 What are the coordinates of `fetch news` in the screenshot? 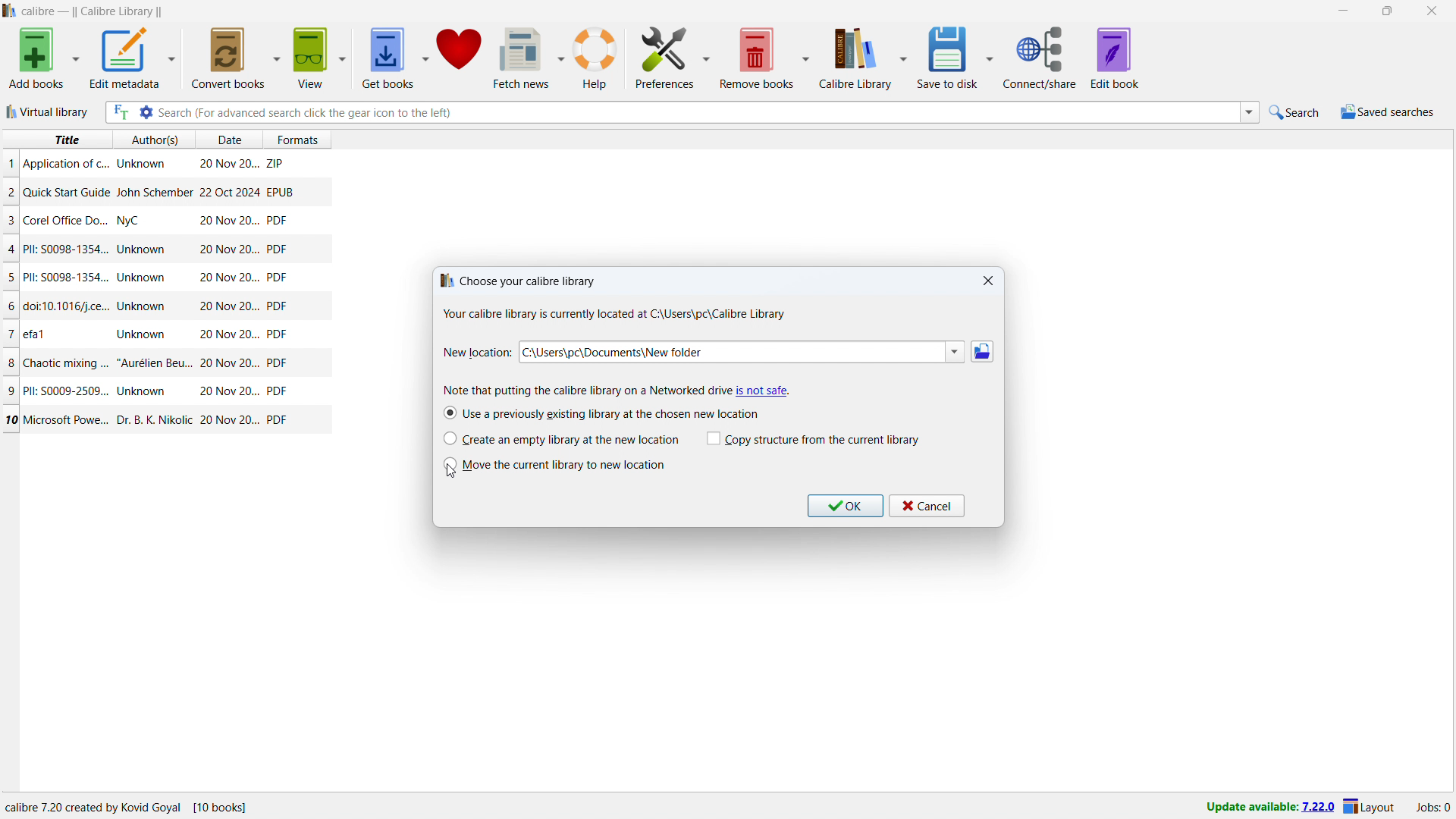 It's located at (523, 57).